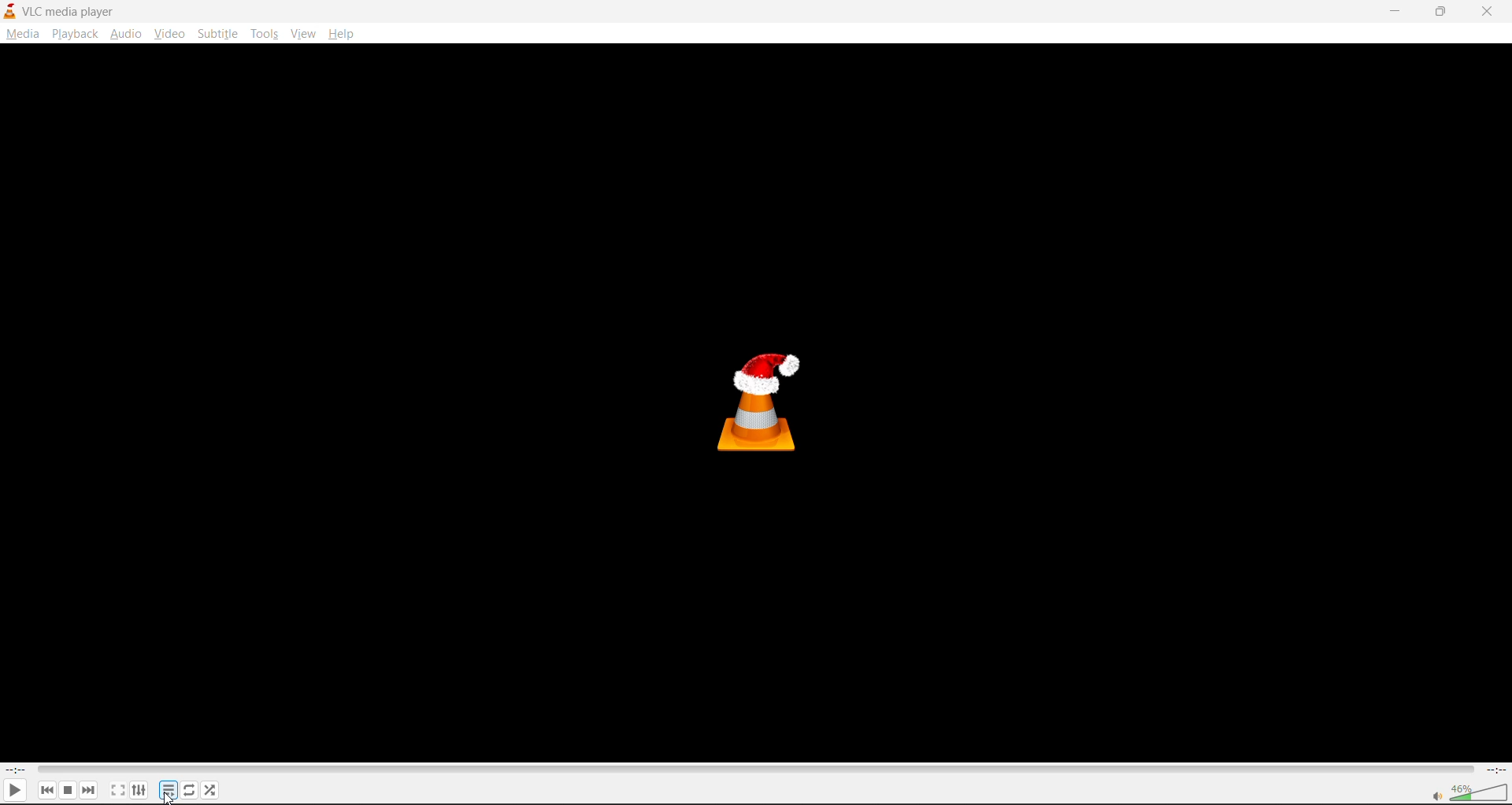 The height and width of the screenshot is (805, 1512). Describe the element at coordinates (90, 787) in the screenshot. I see `next` at that location.